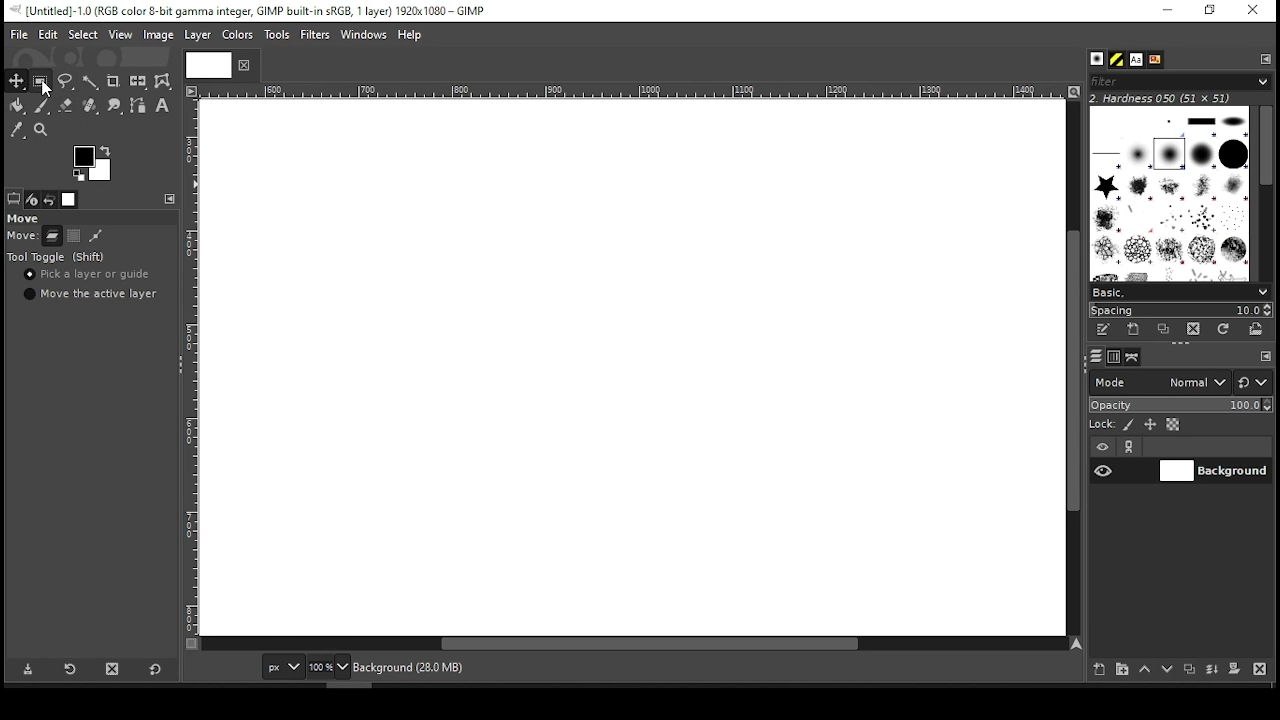  I want to click on delete layer, so click(1259, 669).